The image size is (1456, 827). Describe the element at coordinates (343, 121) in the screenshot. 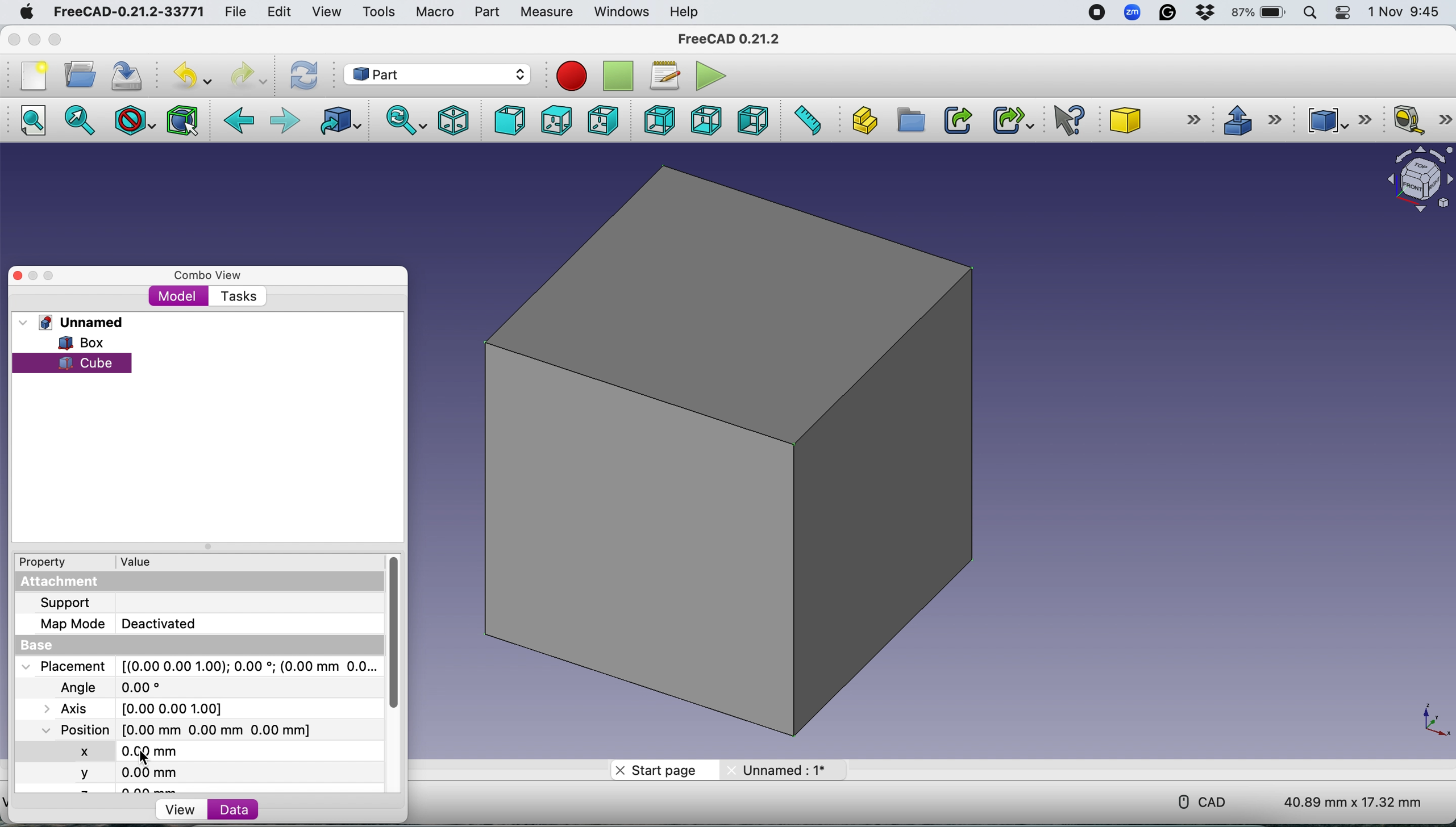

I see `Go to linked object` at that location.